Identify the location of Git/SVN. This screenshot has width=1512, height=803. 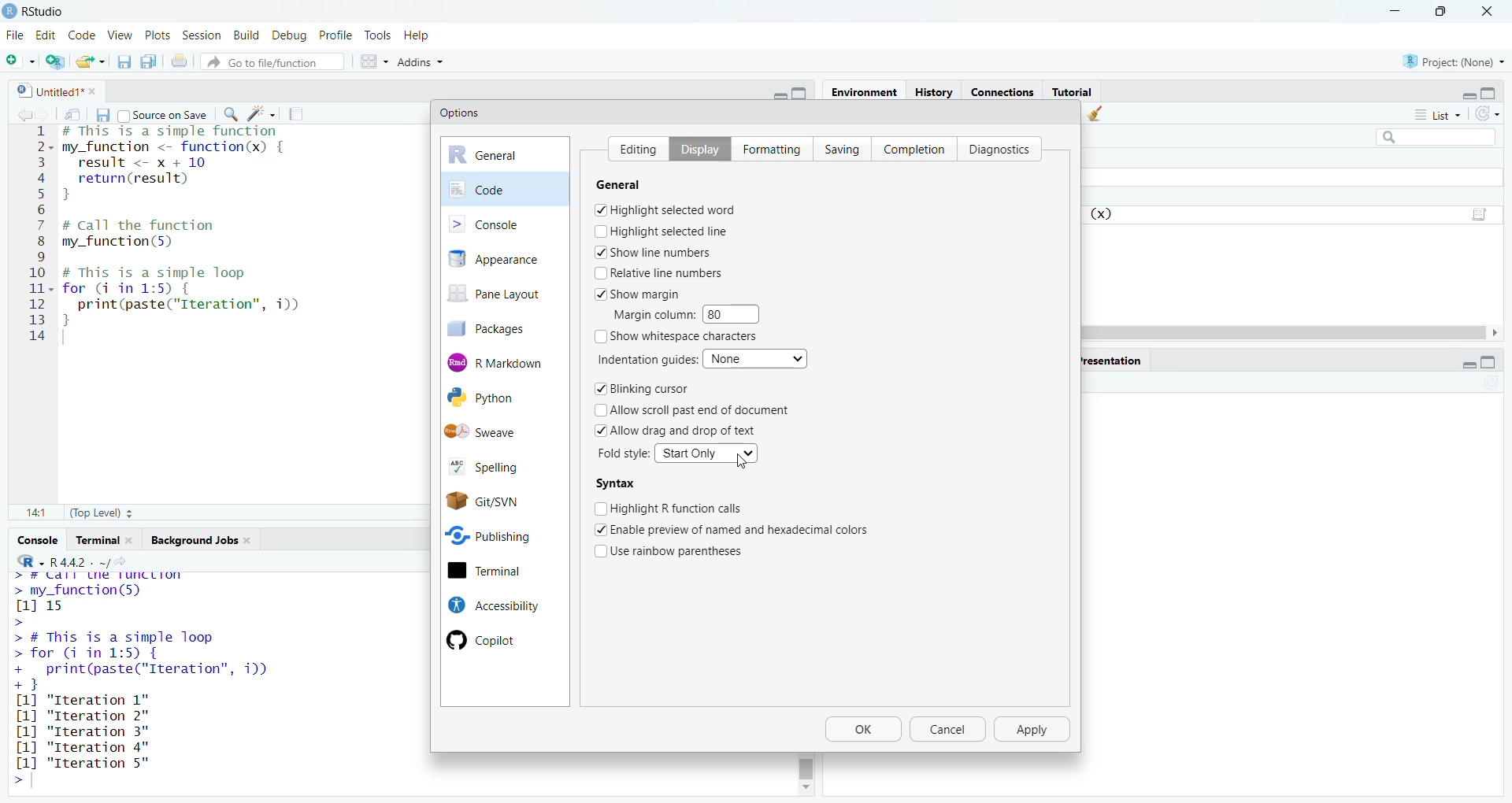
(503, 500).